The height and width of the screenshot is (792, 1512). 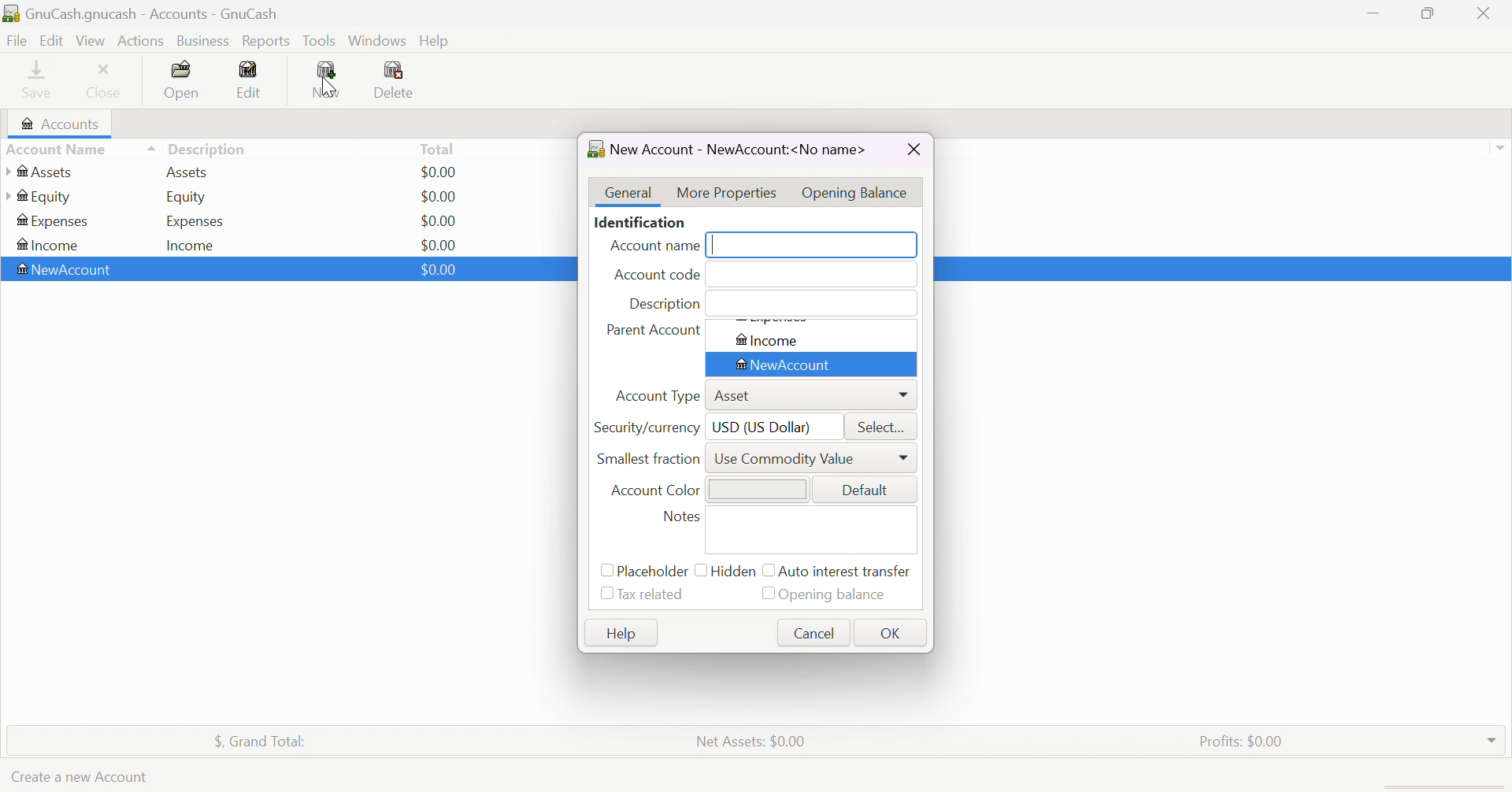 What do you see at coordinates (753, 742) in the screenshot?
I see `Net Assets: $0.00` at bounding box center [753, 742].